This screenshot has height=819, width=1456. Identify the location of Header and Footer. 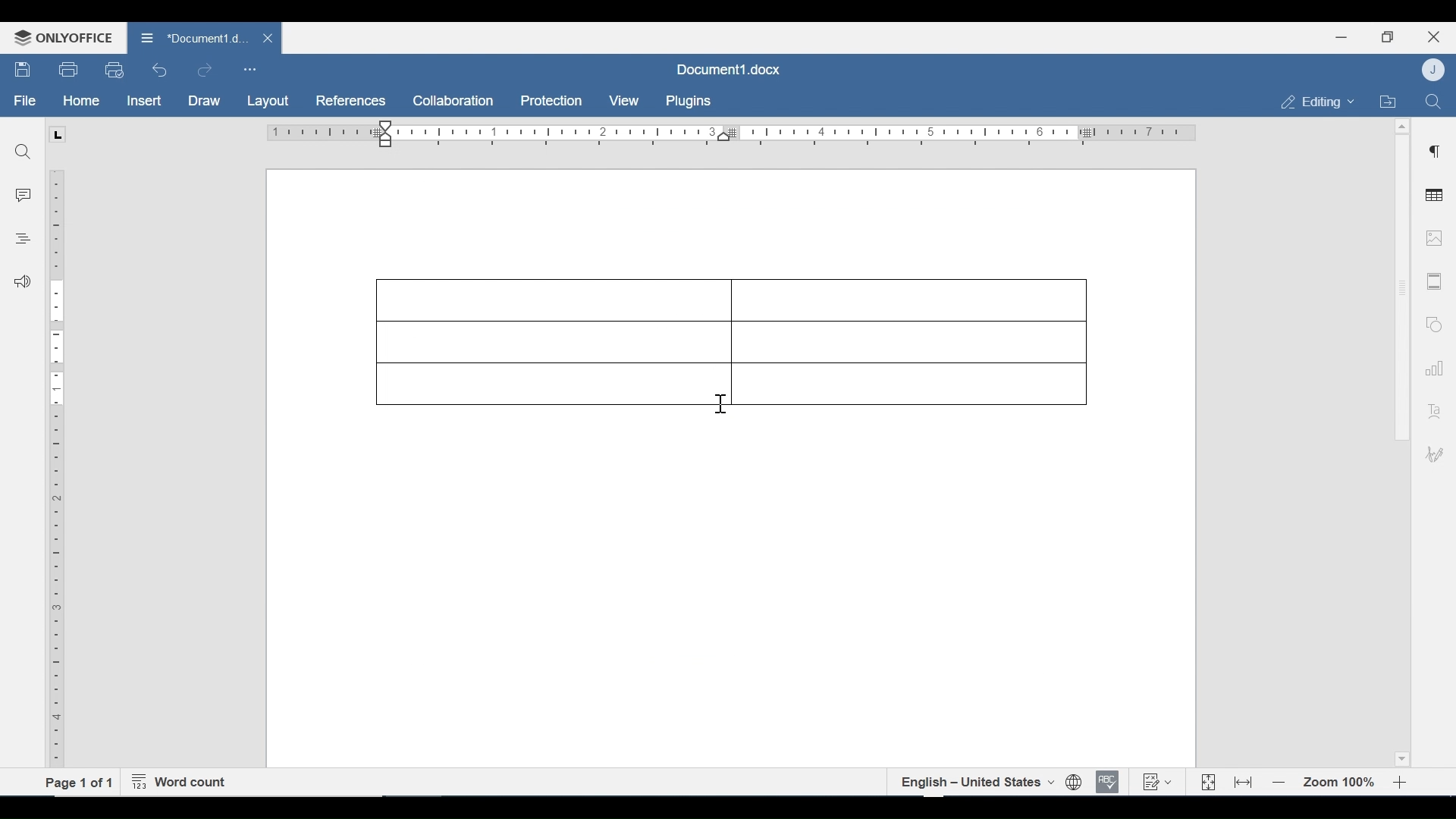
(1435, 282).